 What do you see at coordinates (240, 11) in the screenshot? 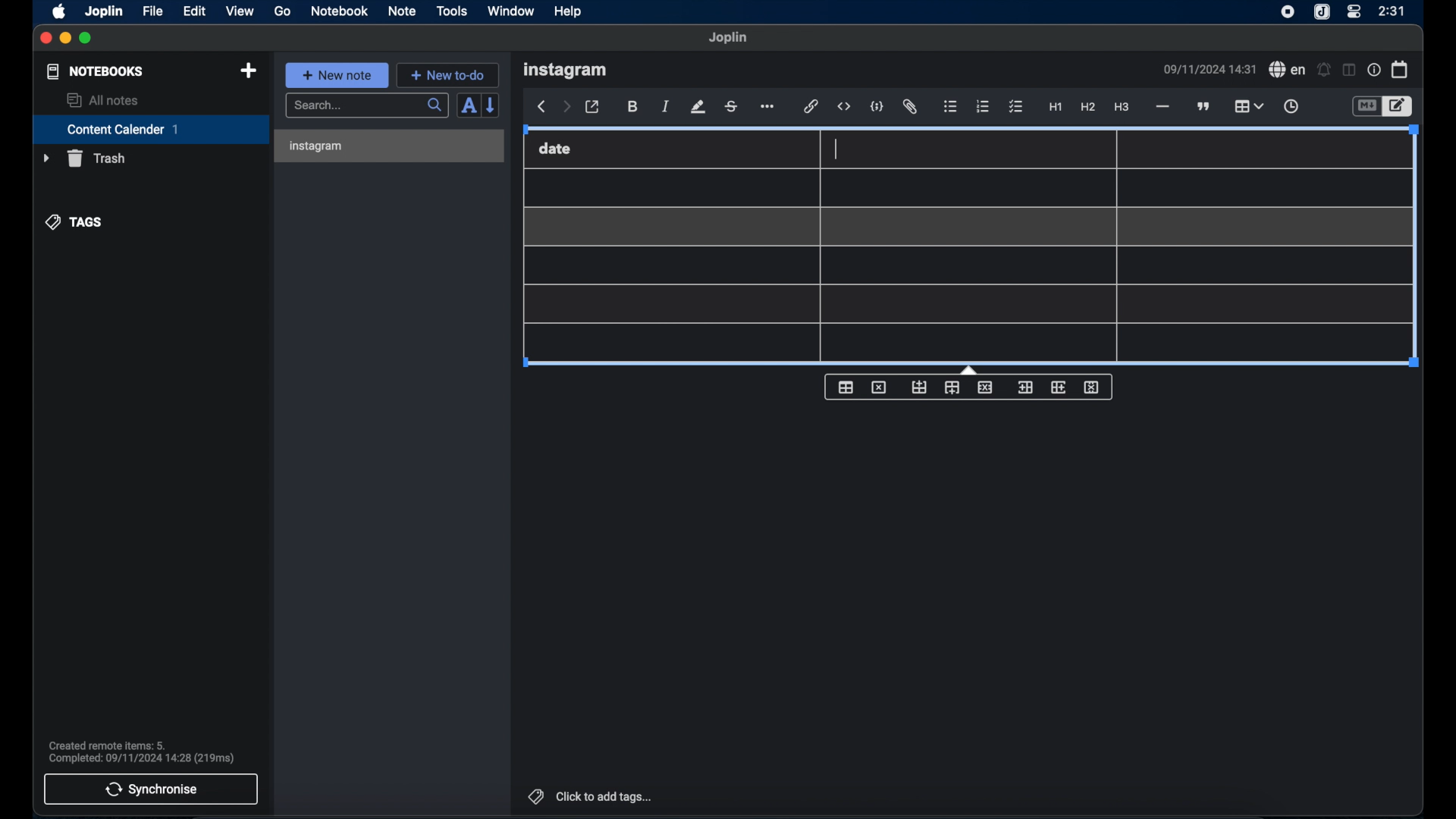
I see `view` at bounding box center [240, 11].